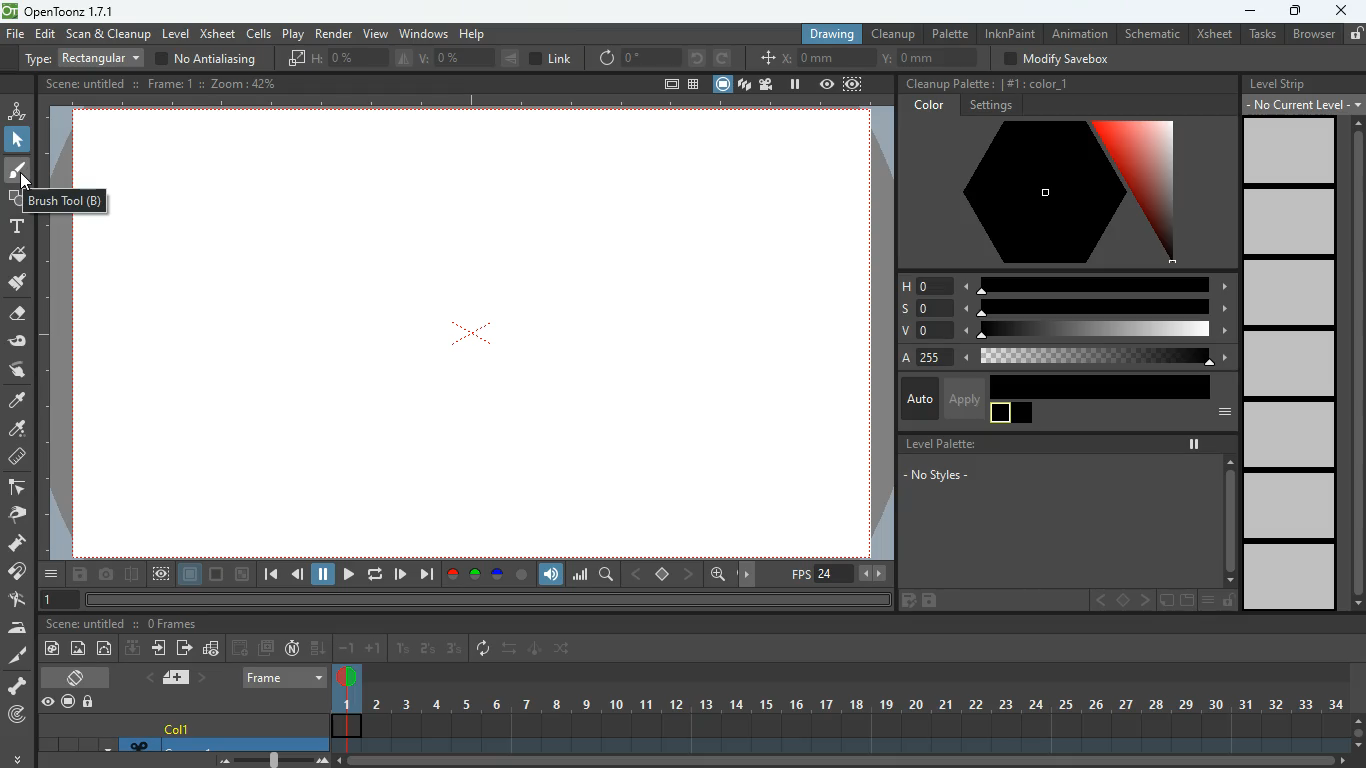 The image size is (1366, 768). Describe the element at coordinates (1290, 434) in the screenshot. I see `level` at that location.